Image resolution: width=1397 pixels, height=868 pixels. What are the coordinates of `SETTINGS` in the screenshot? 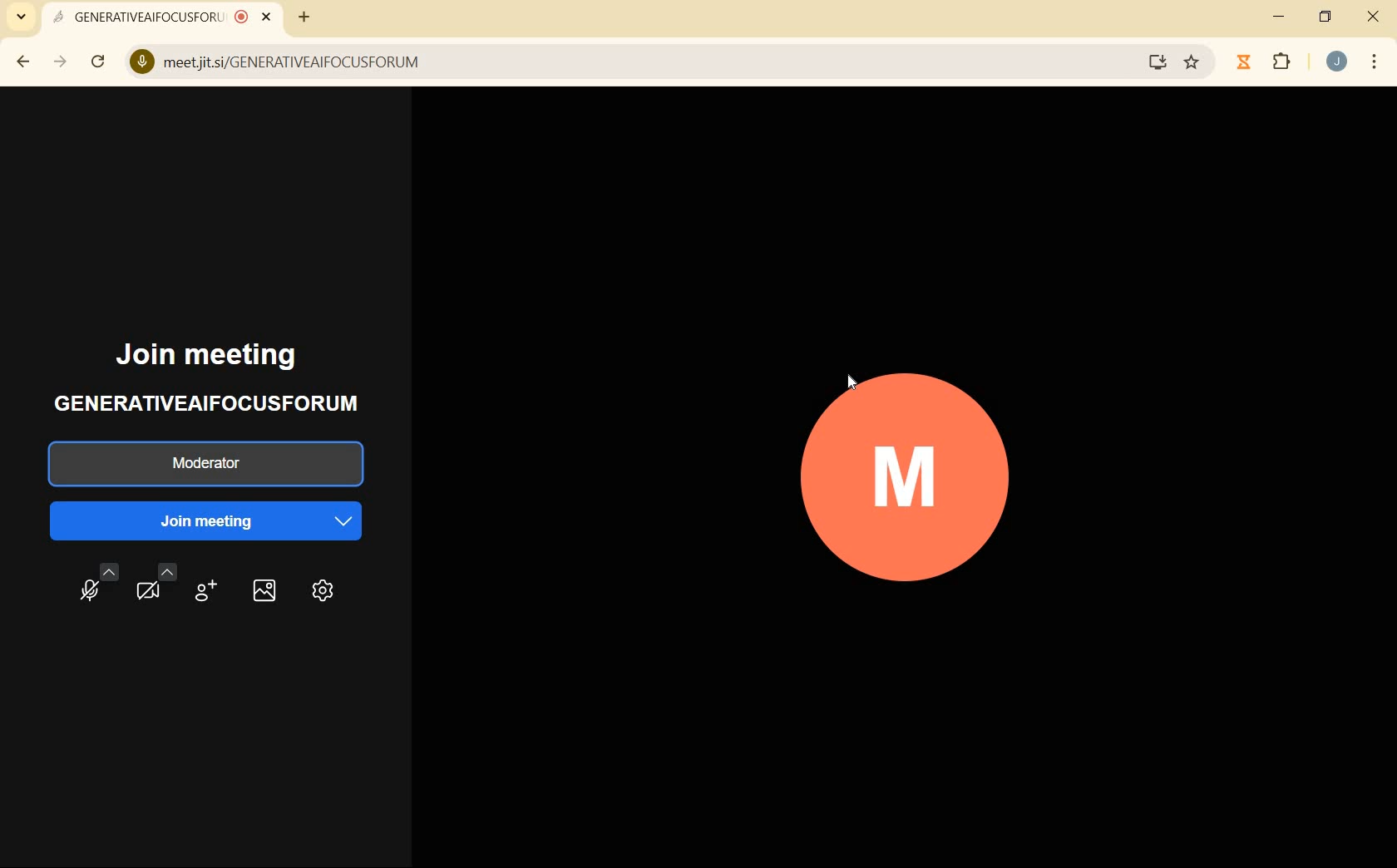 It's located at (326, 591).